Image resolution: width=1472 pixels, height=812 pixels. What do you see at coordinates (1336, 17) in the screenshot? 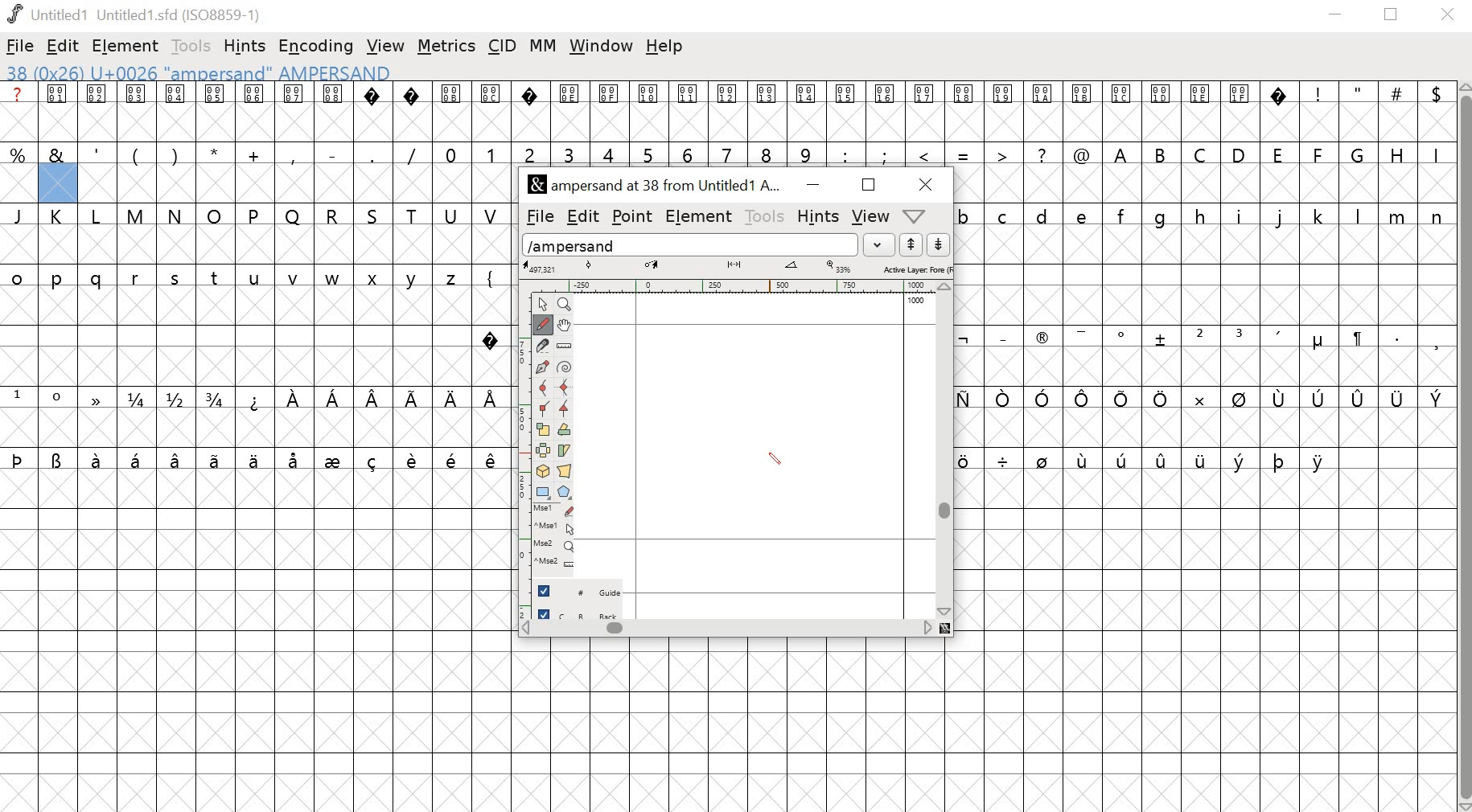
I see `minimize` at bounding box center [1336, 17].